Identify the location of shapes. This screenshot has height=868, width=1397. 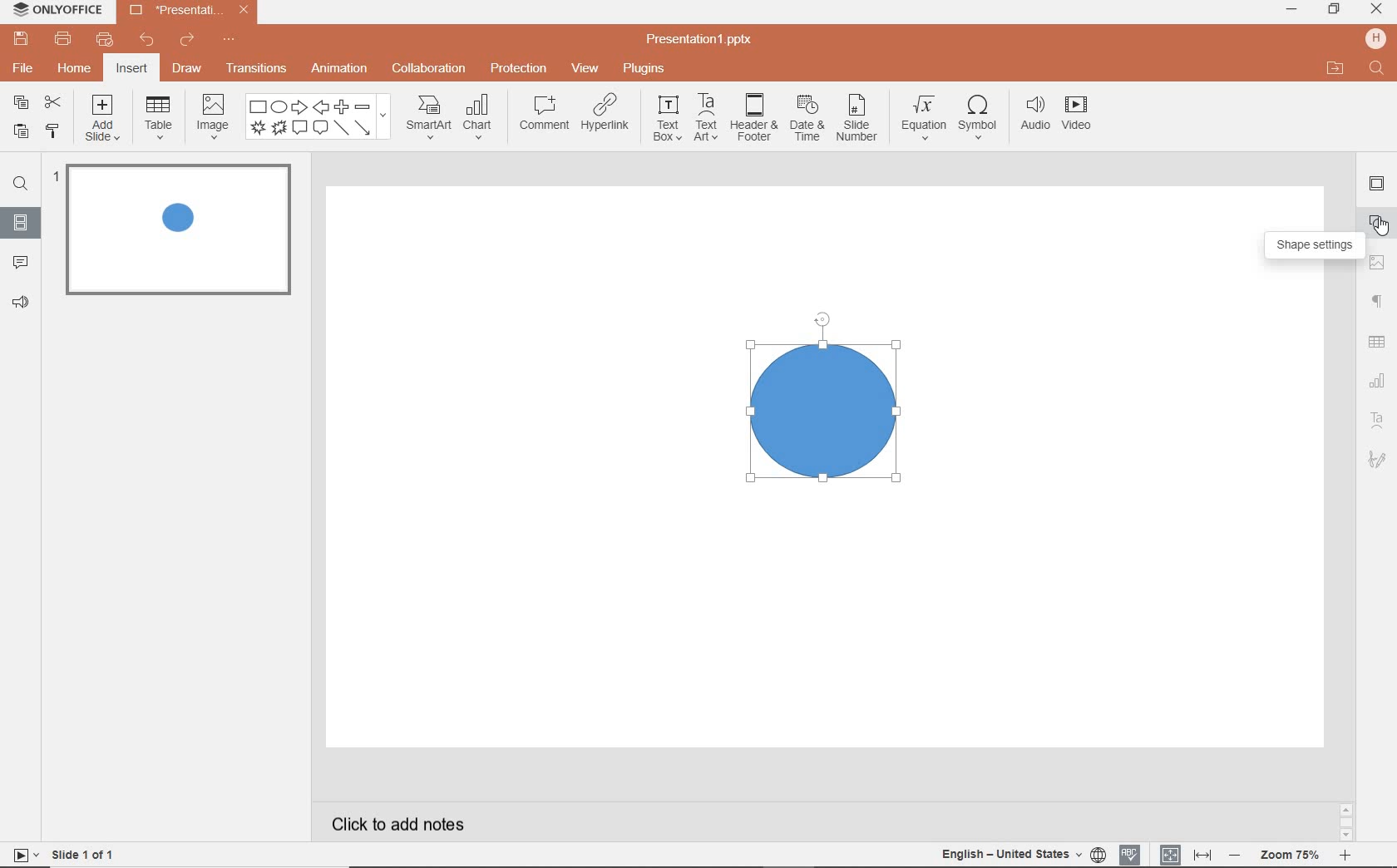
(1380, 222).